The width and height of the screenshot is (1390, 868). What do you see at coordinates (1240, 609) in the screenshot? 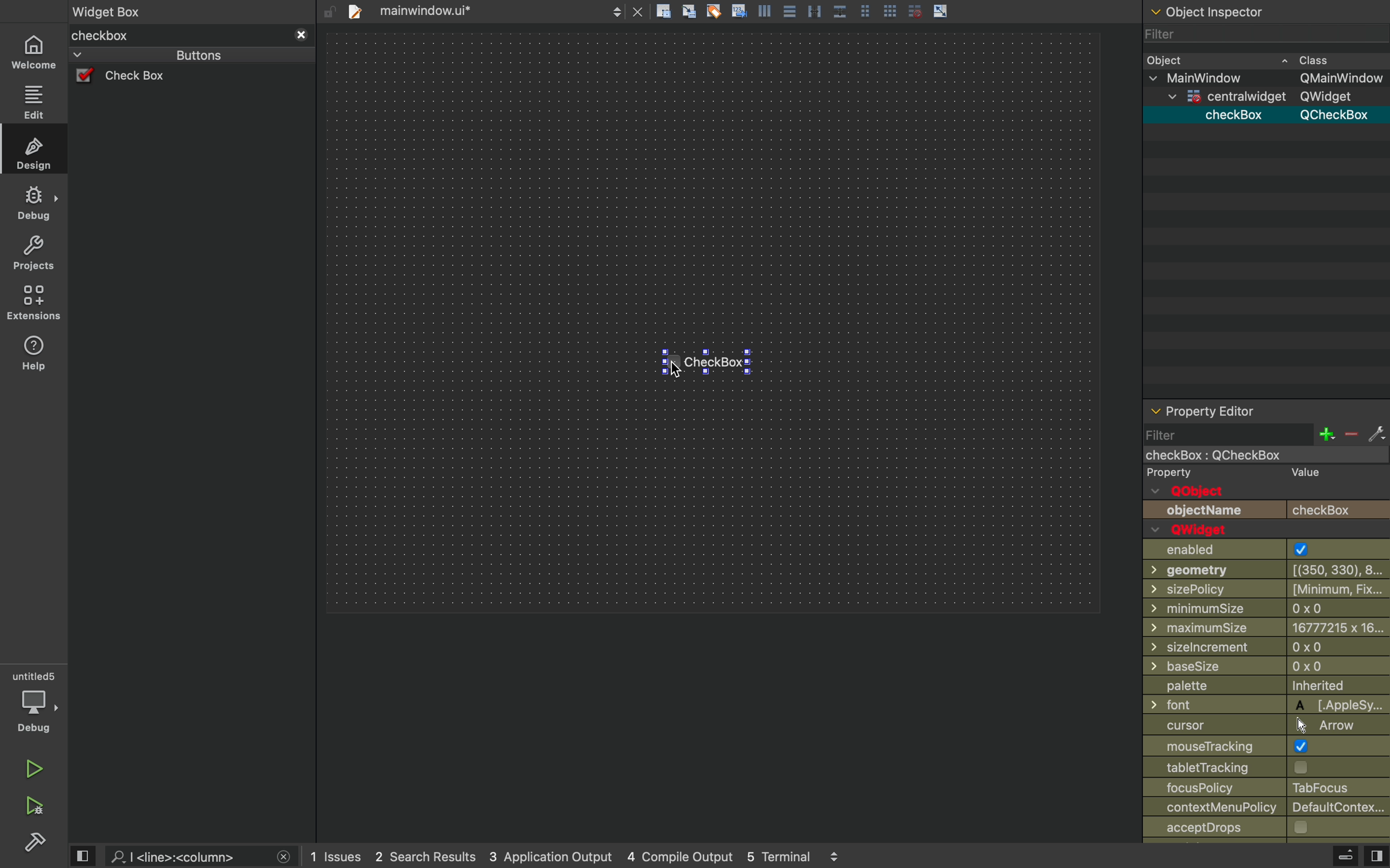
I see `minimum size` at bounding box center [1240, 609].